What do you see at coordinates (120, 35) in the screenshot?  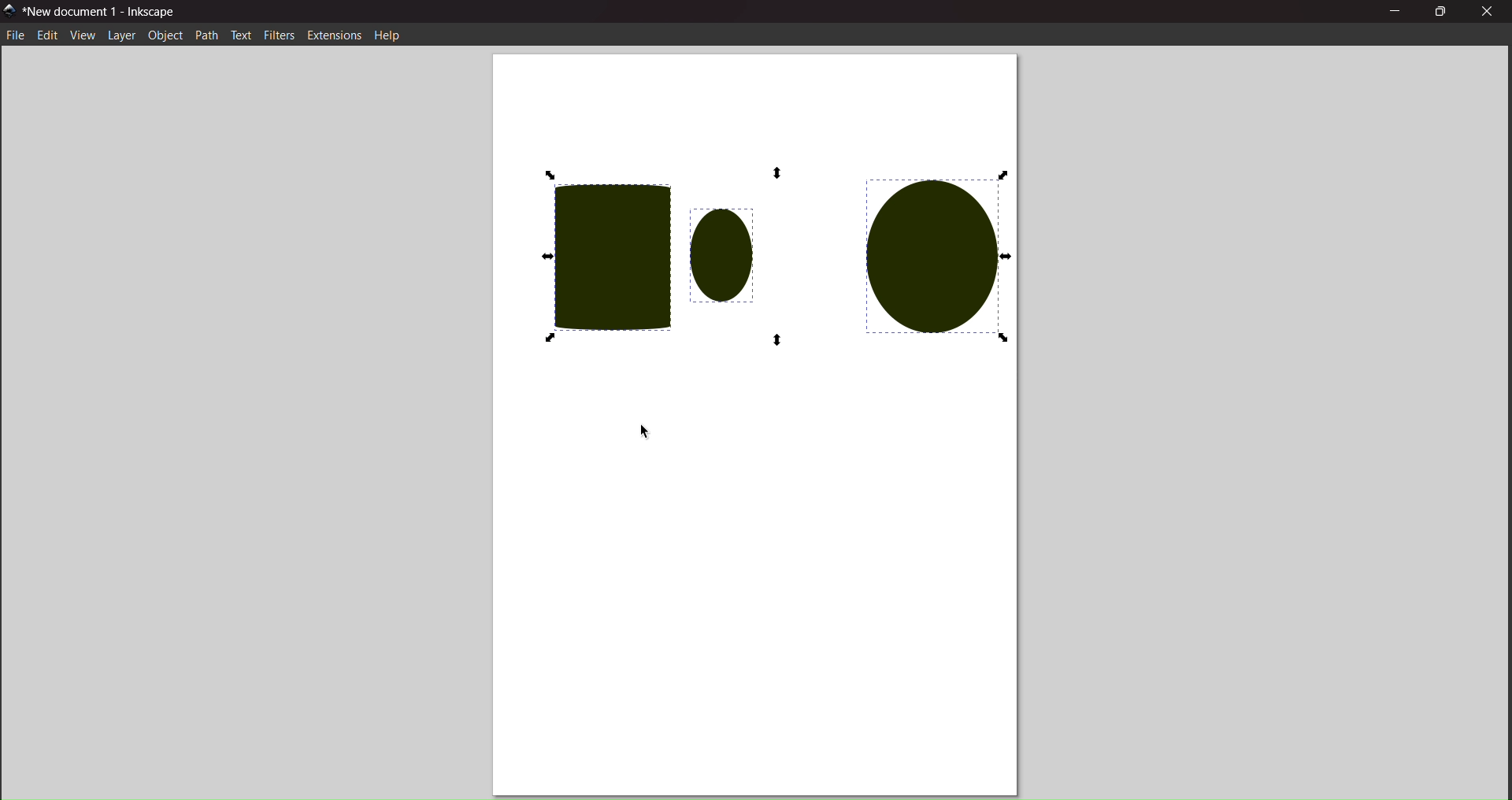 I see `layer` at bounding box center [120, 35].